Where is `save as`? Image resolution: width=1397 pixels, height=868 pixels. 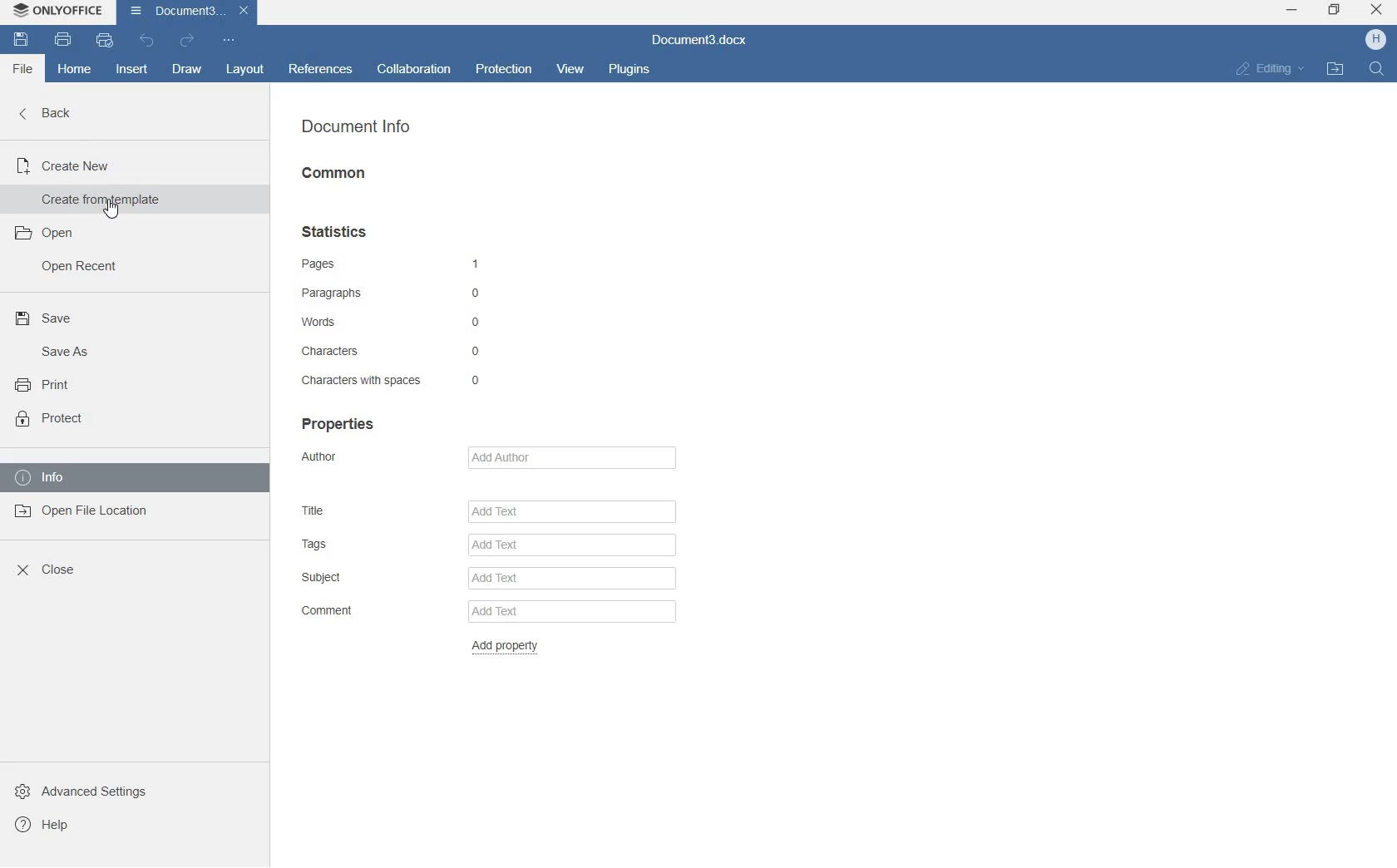 save as is located at coordinates (68, 352).